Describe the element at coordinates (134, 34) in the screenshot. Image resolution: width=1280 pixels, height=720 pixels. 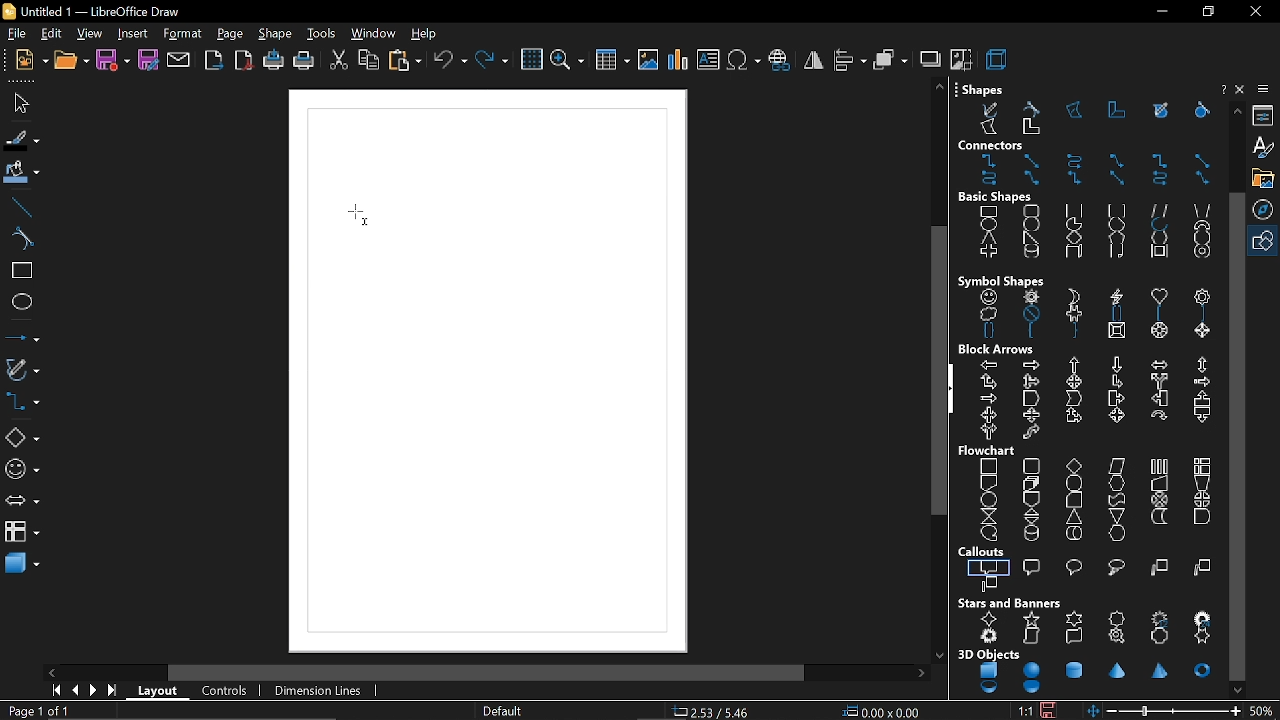
I see `insert` at that location.